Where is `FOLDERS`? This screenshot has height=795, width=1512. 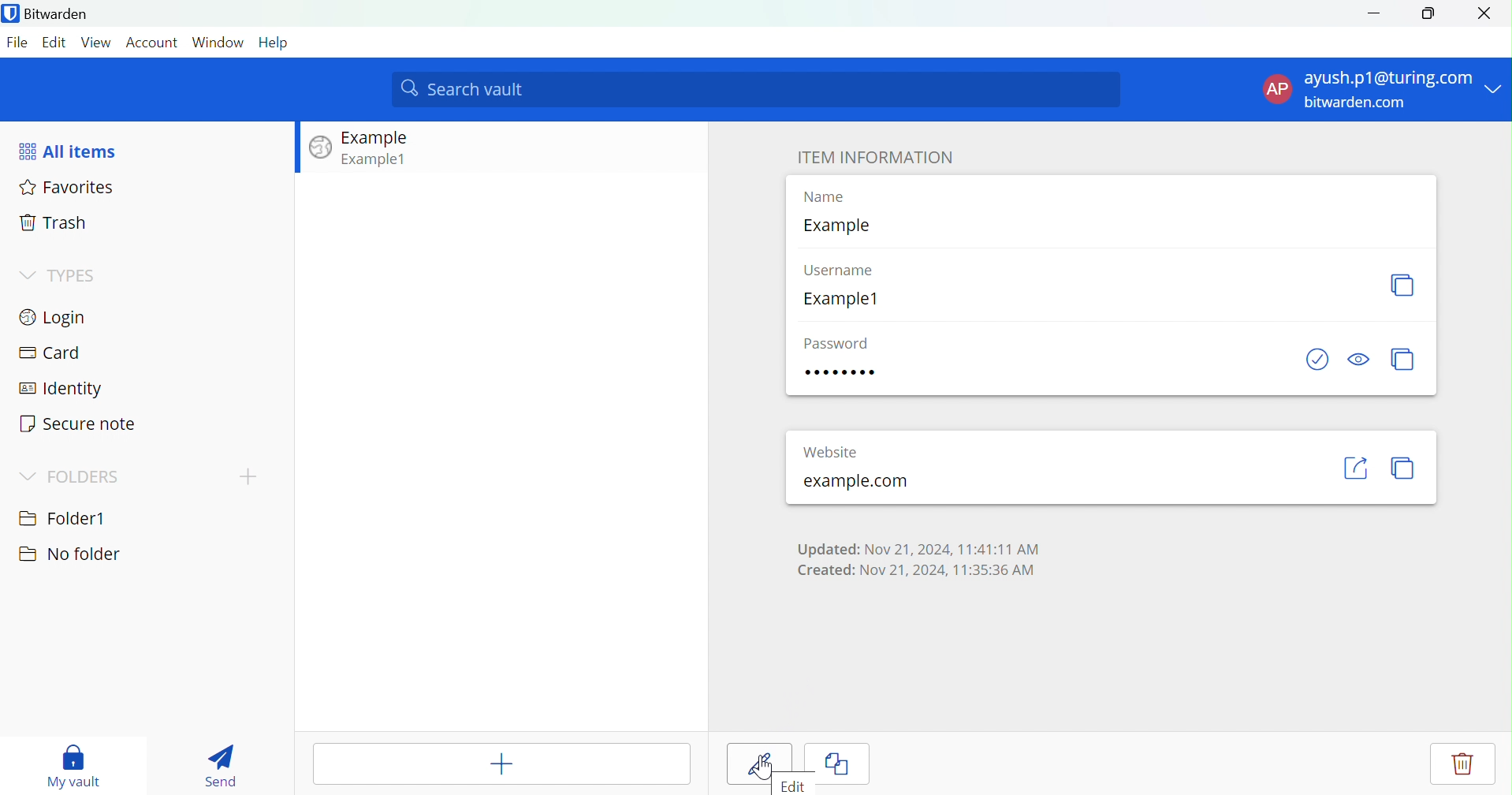
FOLDERS is located at coordinates (84, 478).